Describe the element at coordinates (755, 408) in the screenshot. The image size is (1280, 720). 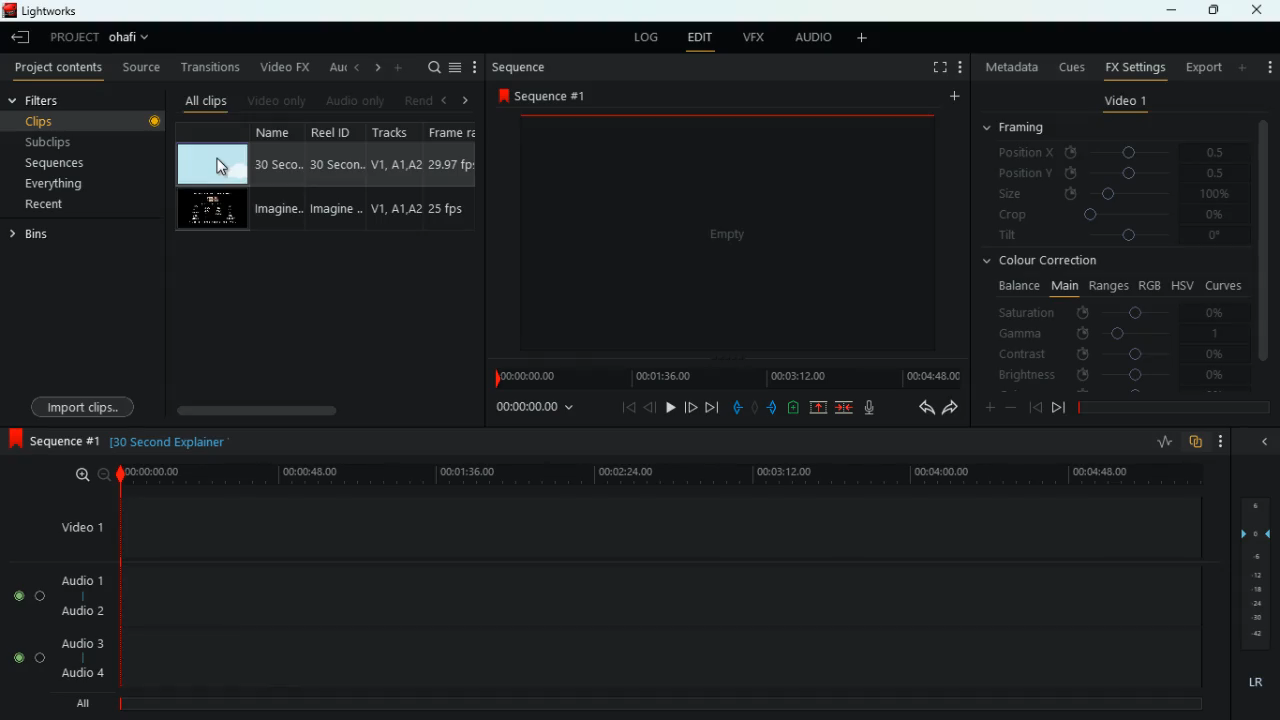
I see `hold` at that location.